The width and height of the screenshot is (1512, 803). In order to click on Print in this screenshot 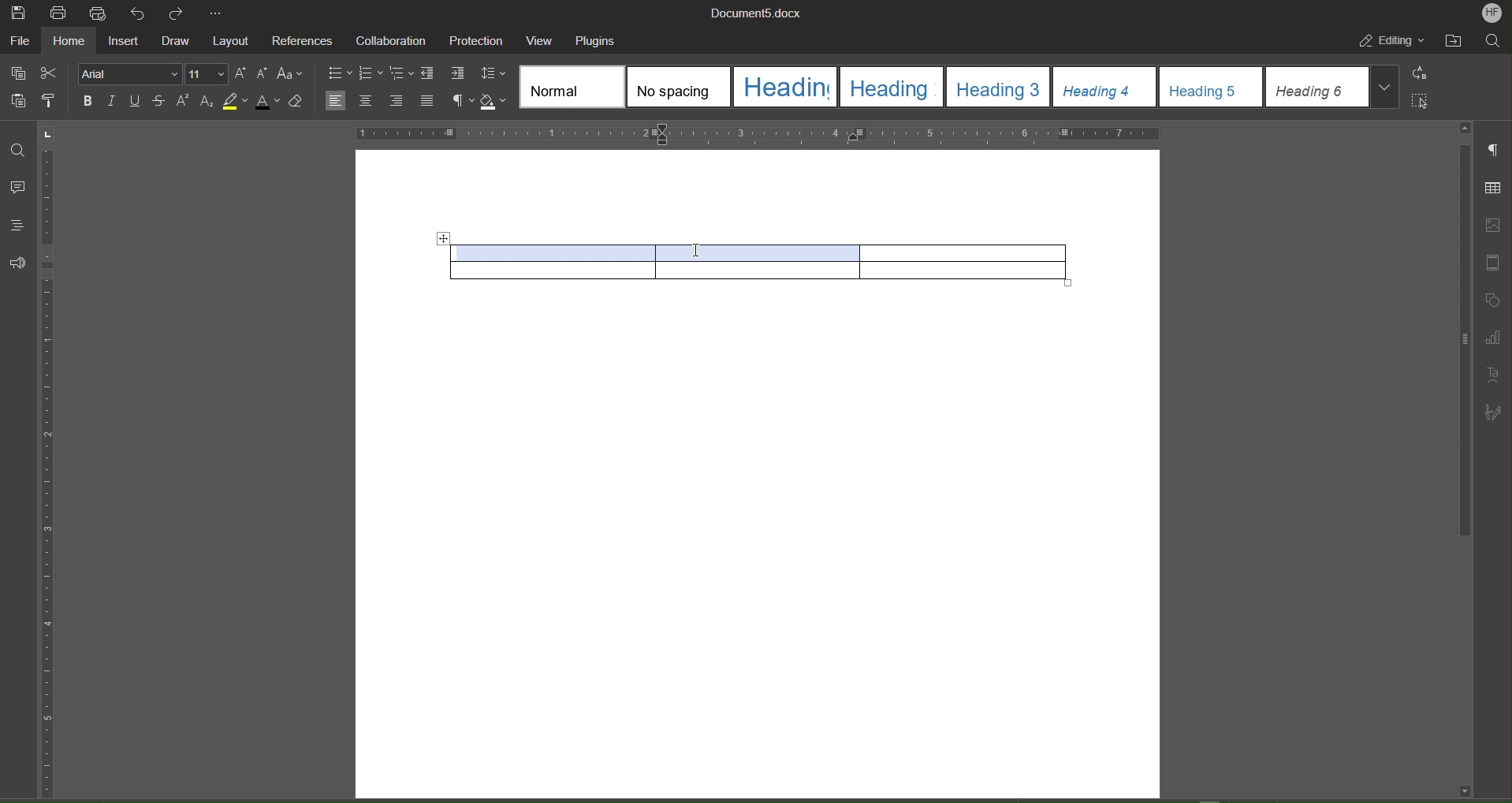, I will do `click(58, 13)`.